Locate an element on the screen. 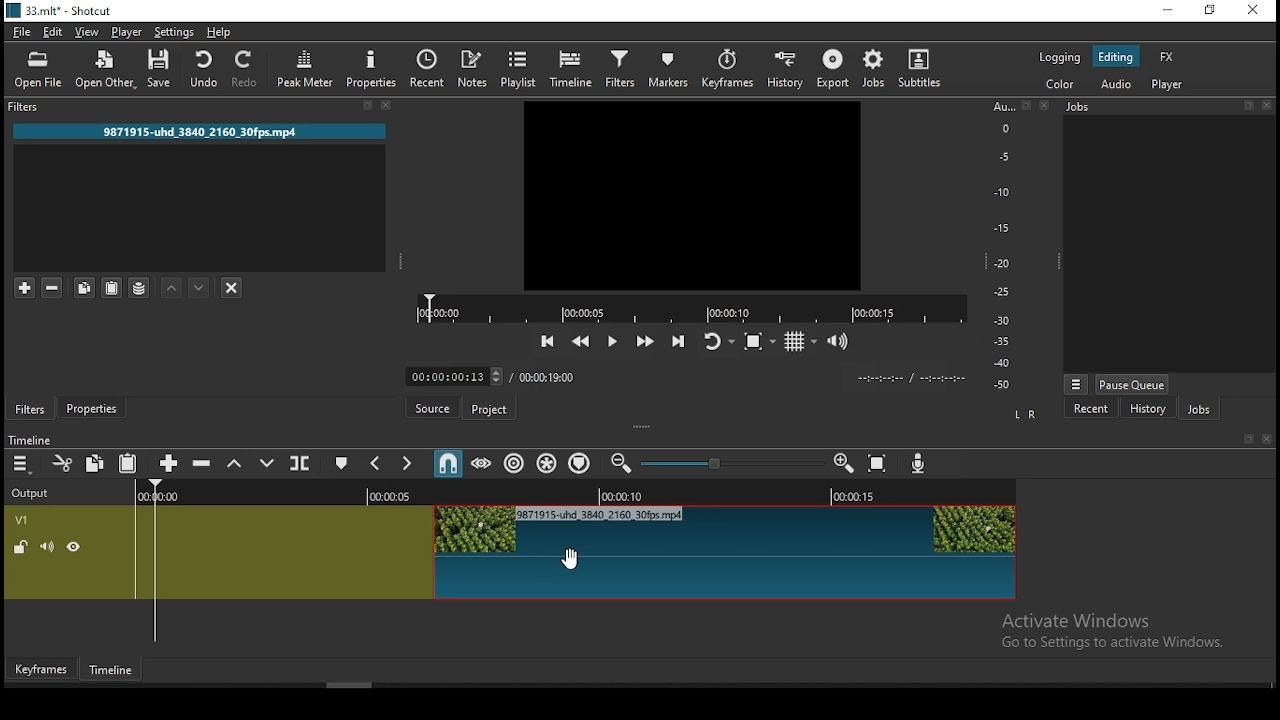 This screenshot has height=720, width=1280. split at playhead is located at coordinates (431, 67).